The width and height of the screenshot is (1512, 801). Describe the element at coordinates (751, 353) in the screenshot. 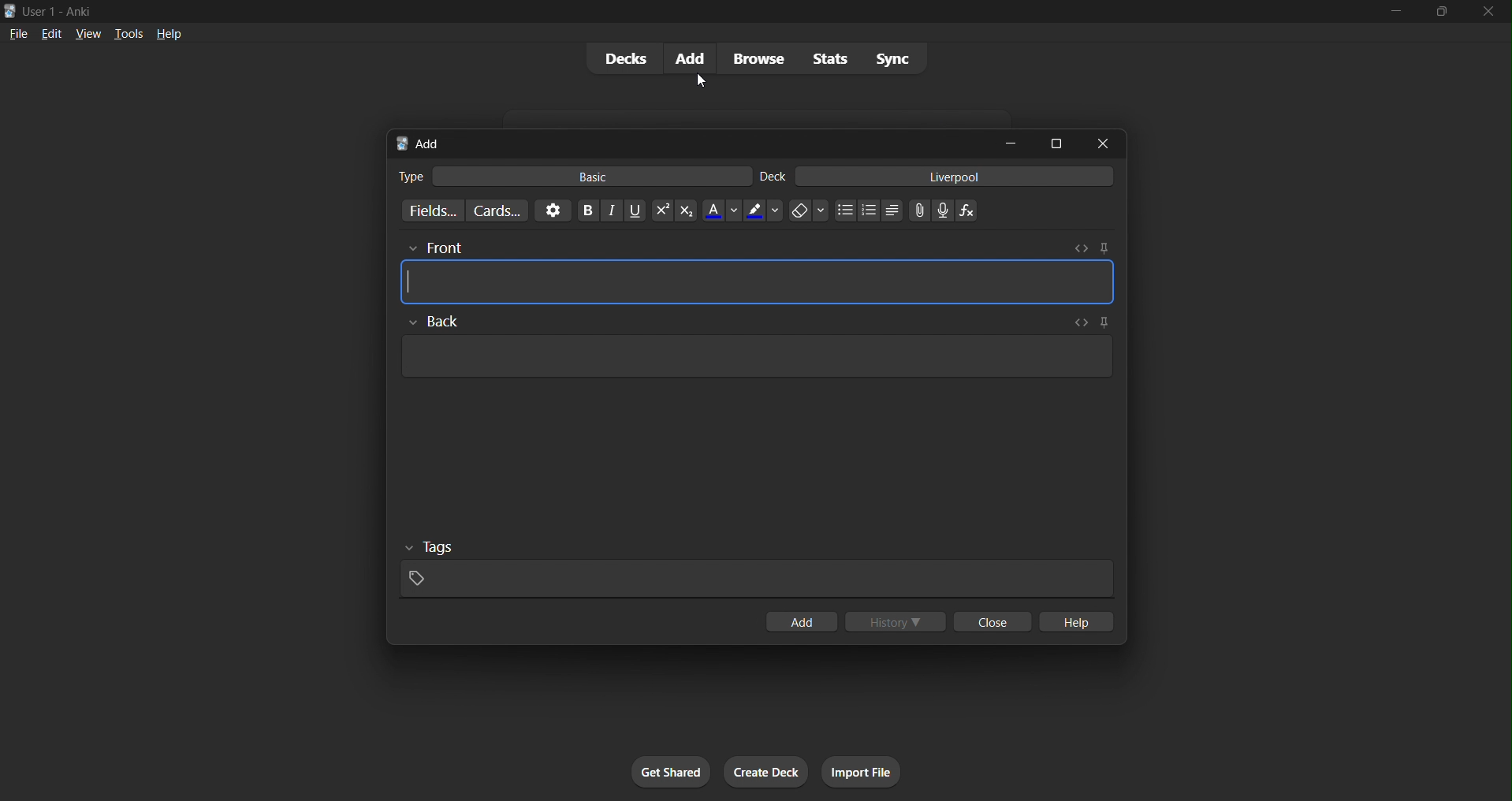

I see `card back input field` at that location.